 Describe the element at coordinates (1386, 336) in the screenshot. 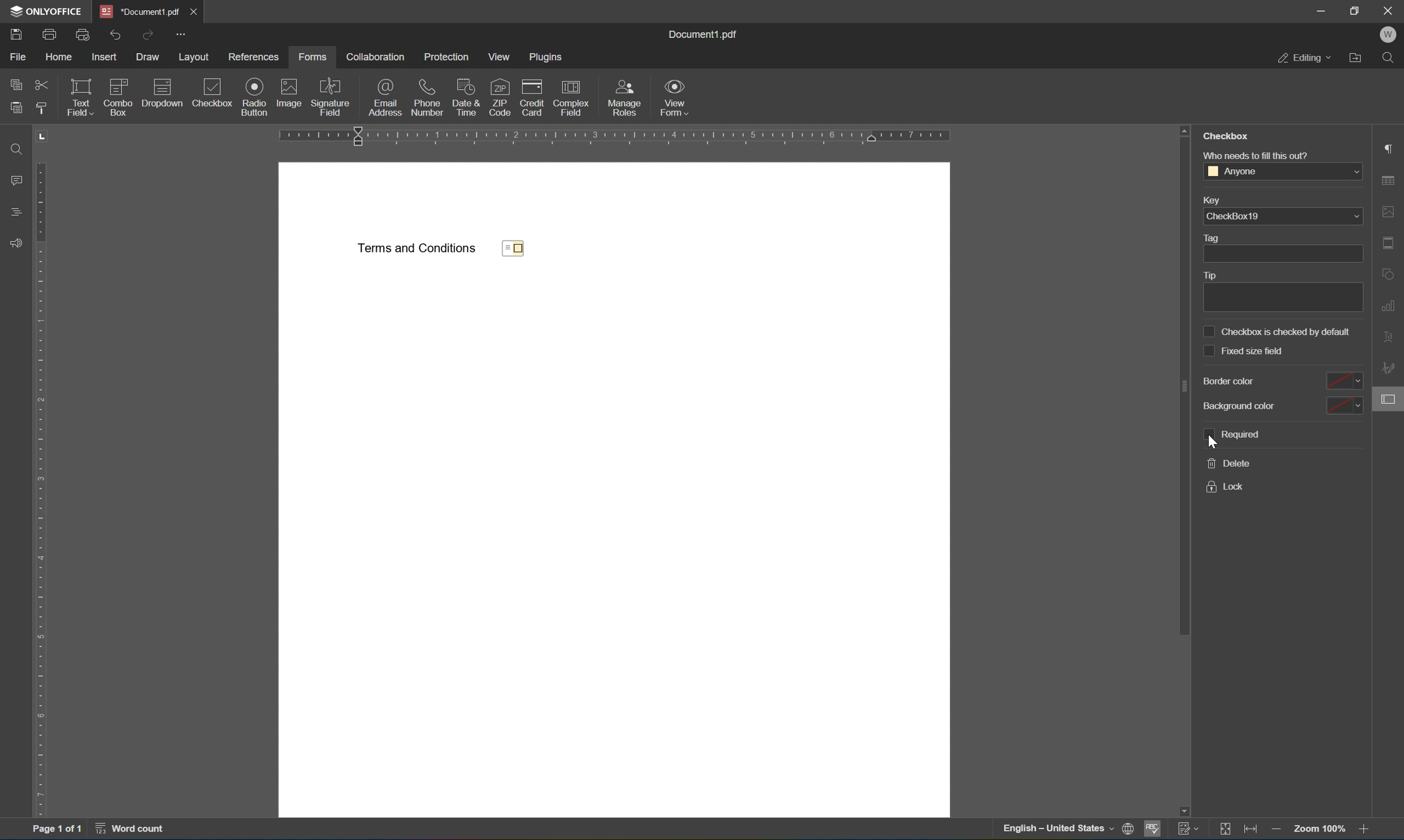

I see `text art settings` at that location.